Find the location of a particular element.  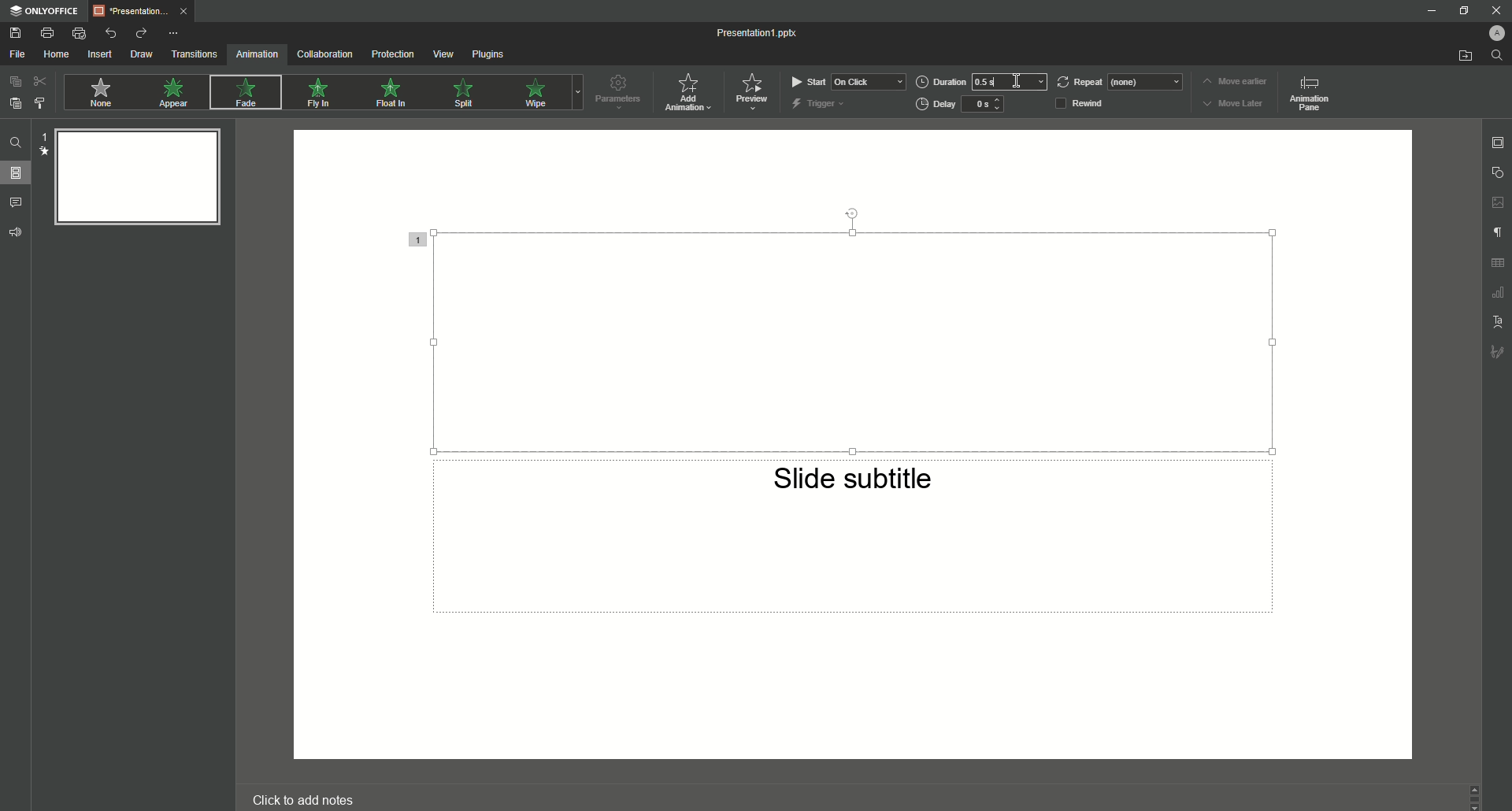

Appear is located at coordinates (175, 94).